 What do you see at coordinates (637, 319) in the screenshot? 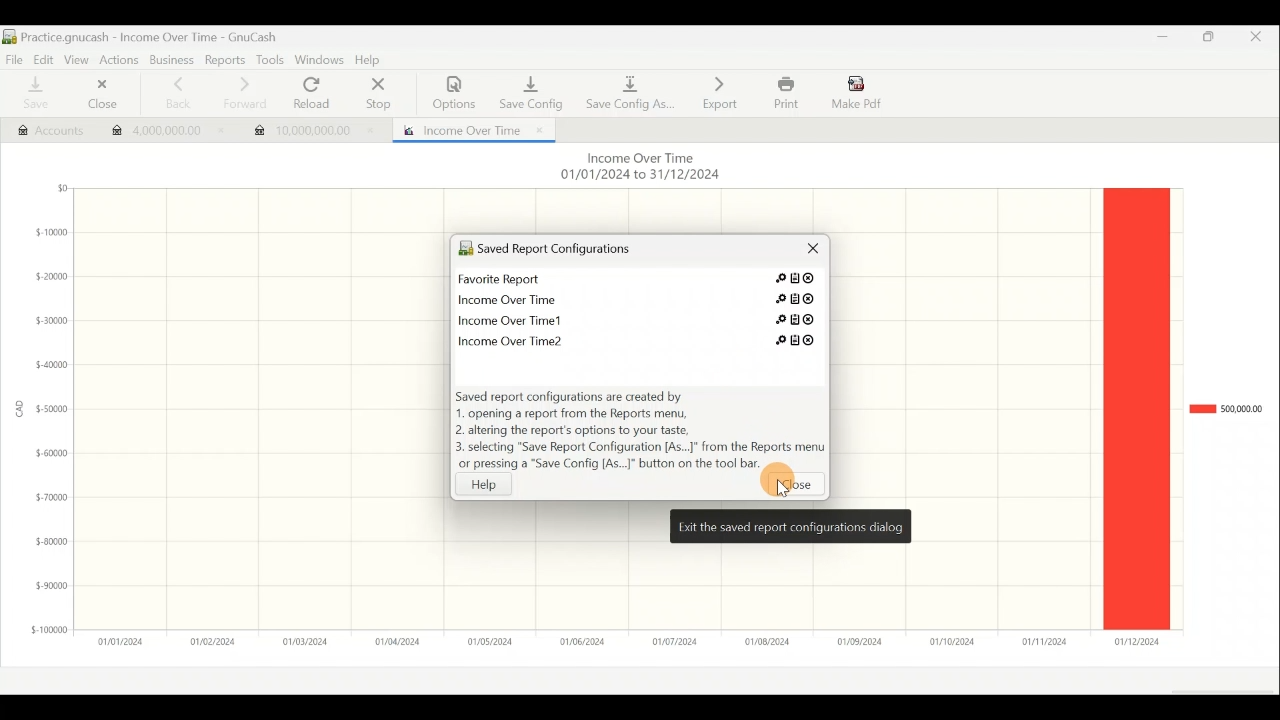
I see `Saved report 3` at bounding box center [637, 319].